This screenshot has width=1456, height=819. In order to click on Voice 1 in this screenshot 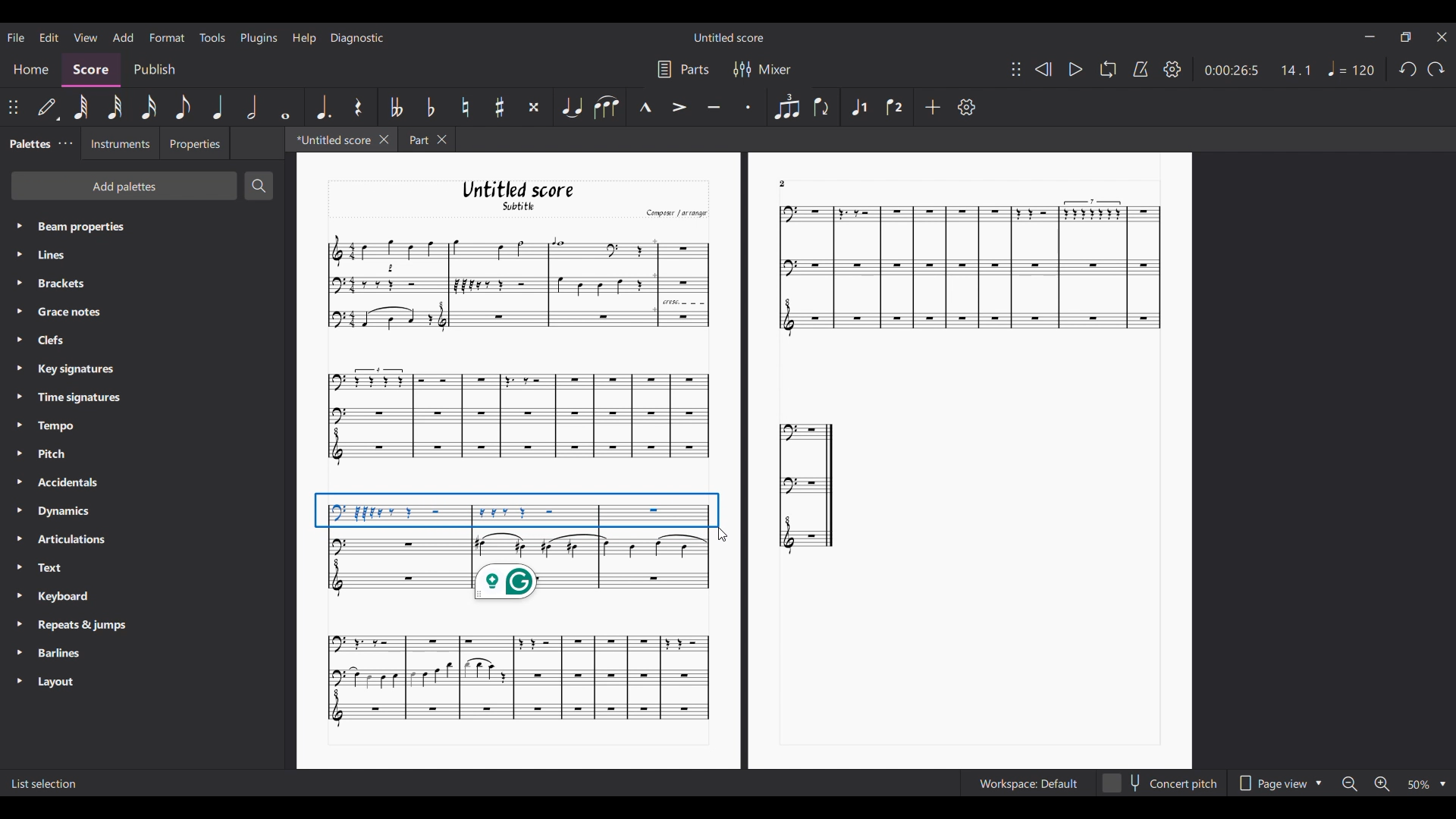, I will do `click(858, 107)`.